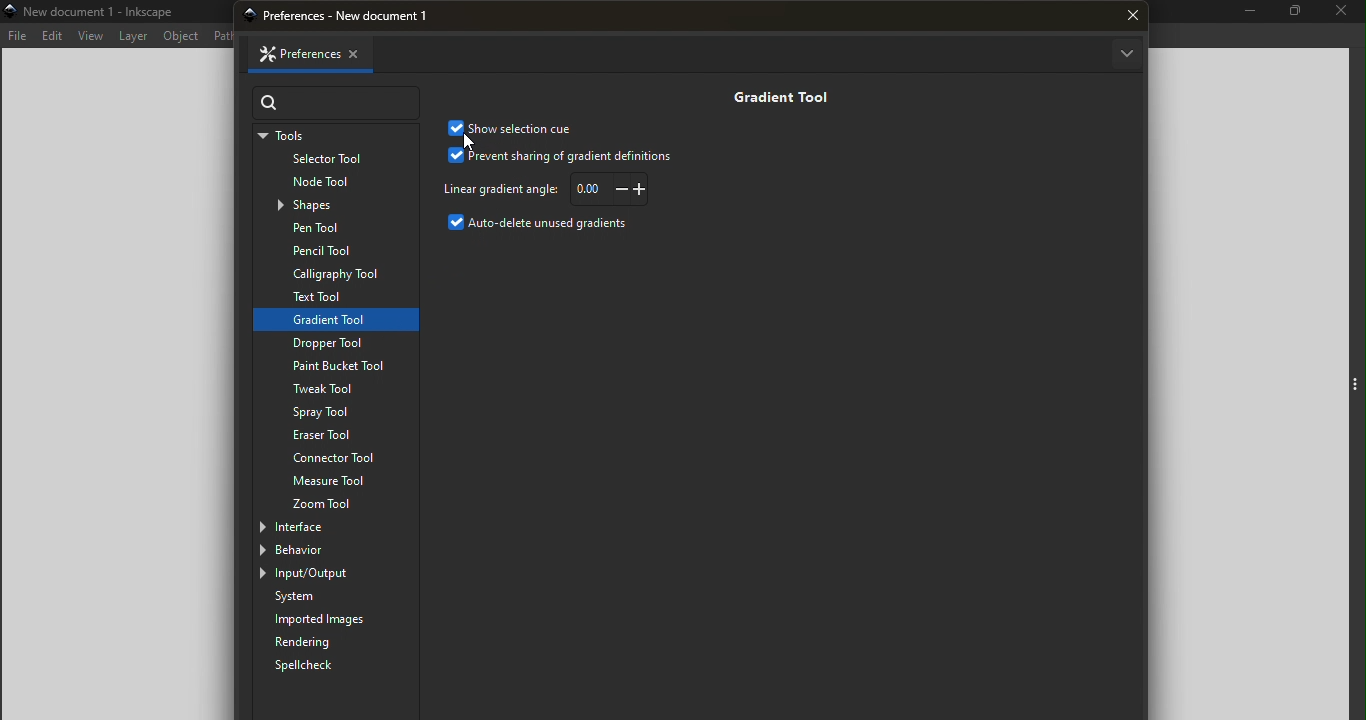 This screenshot has height=720, width=1366. Describe the element at coordinates (1133, 16) in the screenshot. I see `close` at that location.